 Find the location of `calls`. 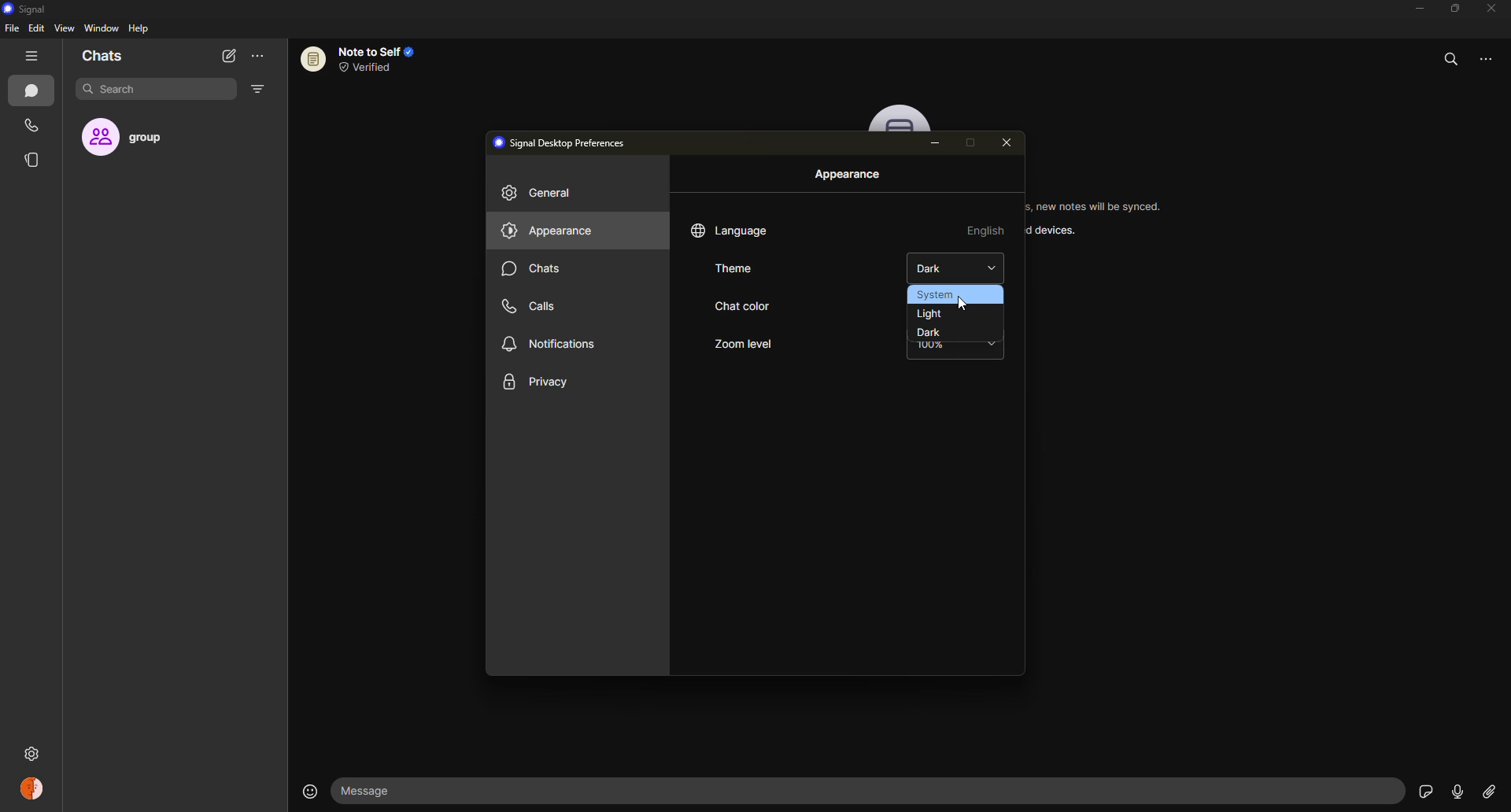

calls is located at coordinates (34, 127).